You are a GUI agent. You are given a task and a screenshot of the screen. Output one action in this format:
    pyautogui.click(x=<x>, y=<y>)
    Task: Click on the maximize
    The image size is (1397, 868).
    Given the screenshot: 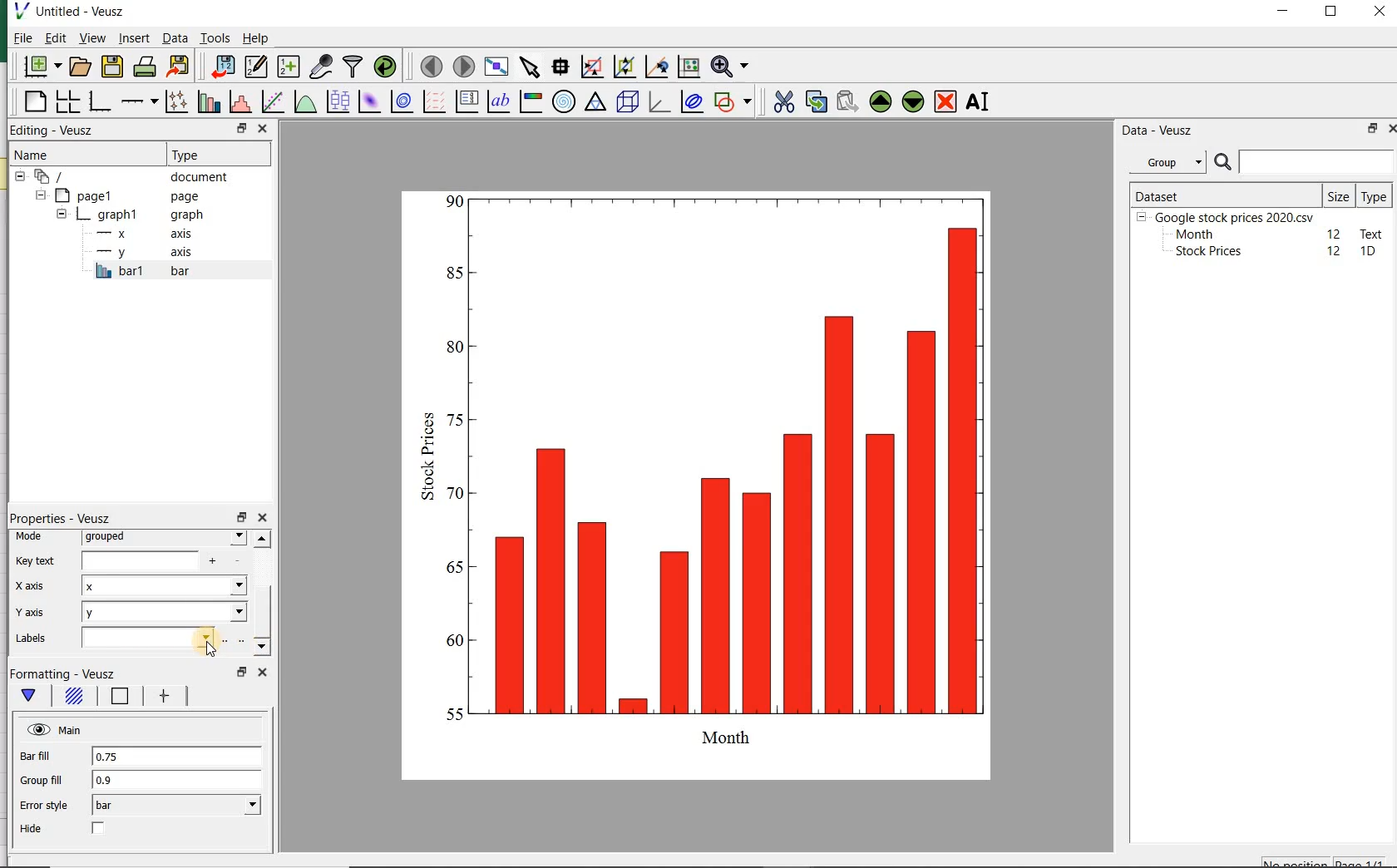 What is the action you would take?
    pyautogui.click(x=1334, y=13)
    